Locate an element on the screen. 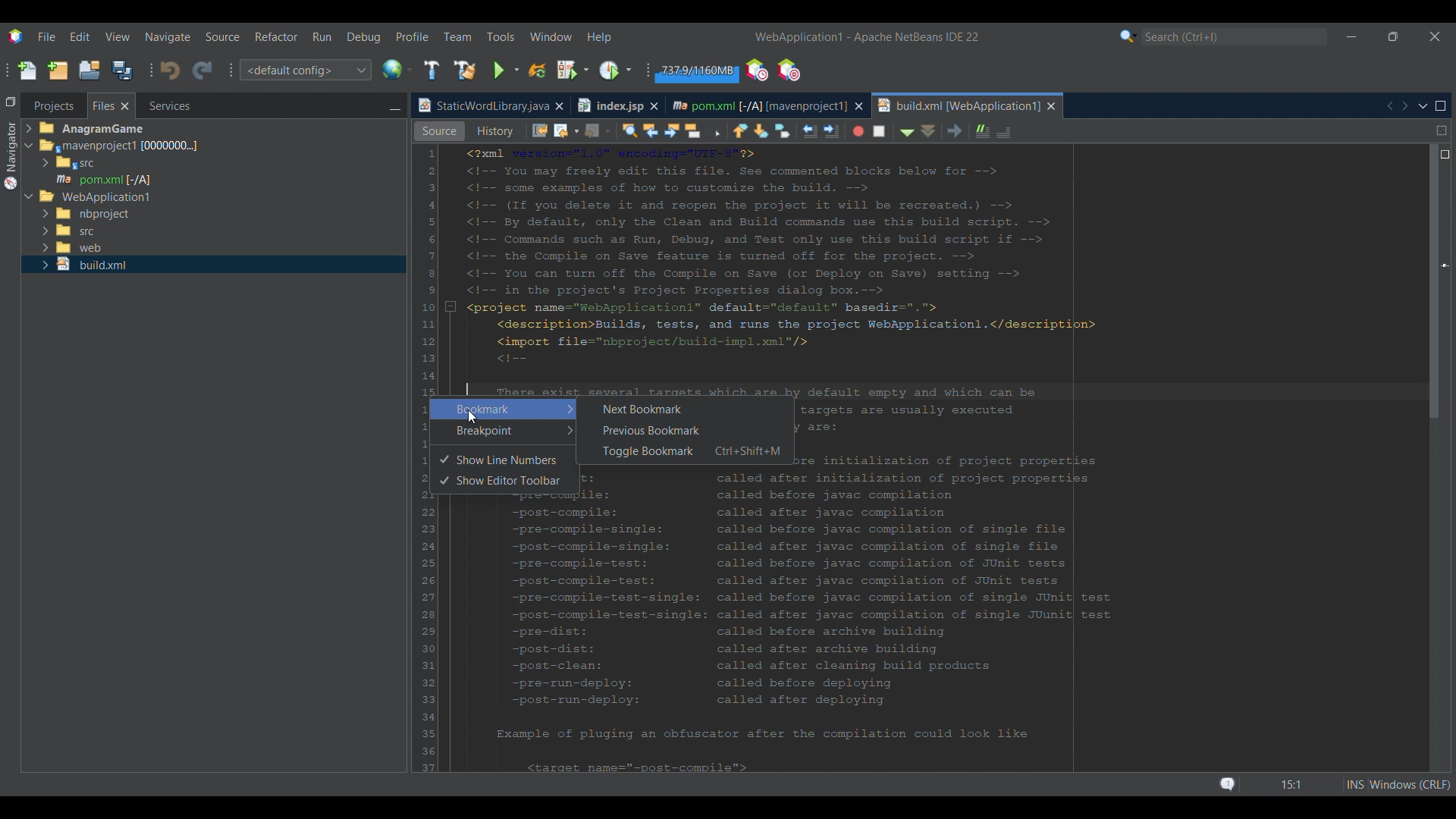  Find selection is located at coordinates (762, 130).